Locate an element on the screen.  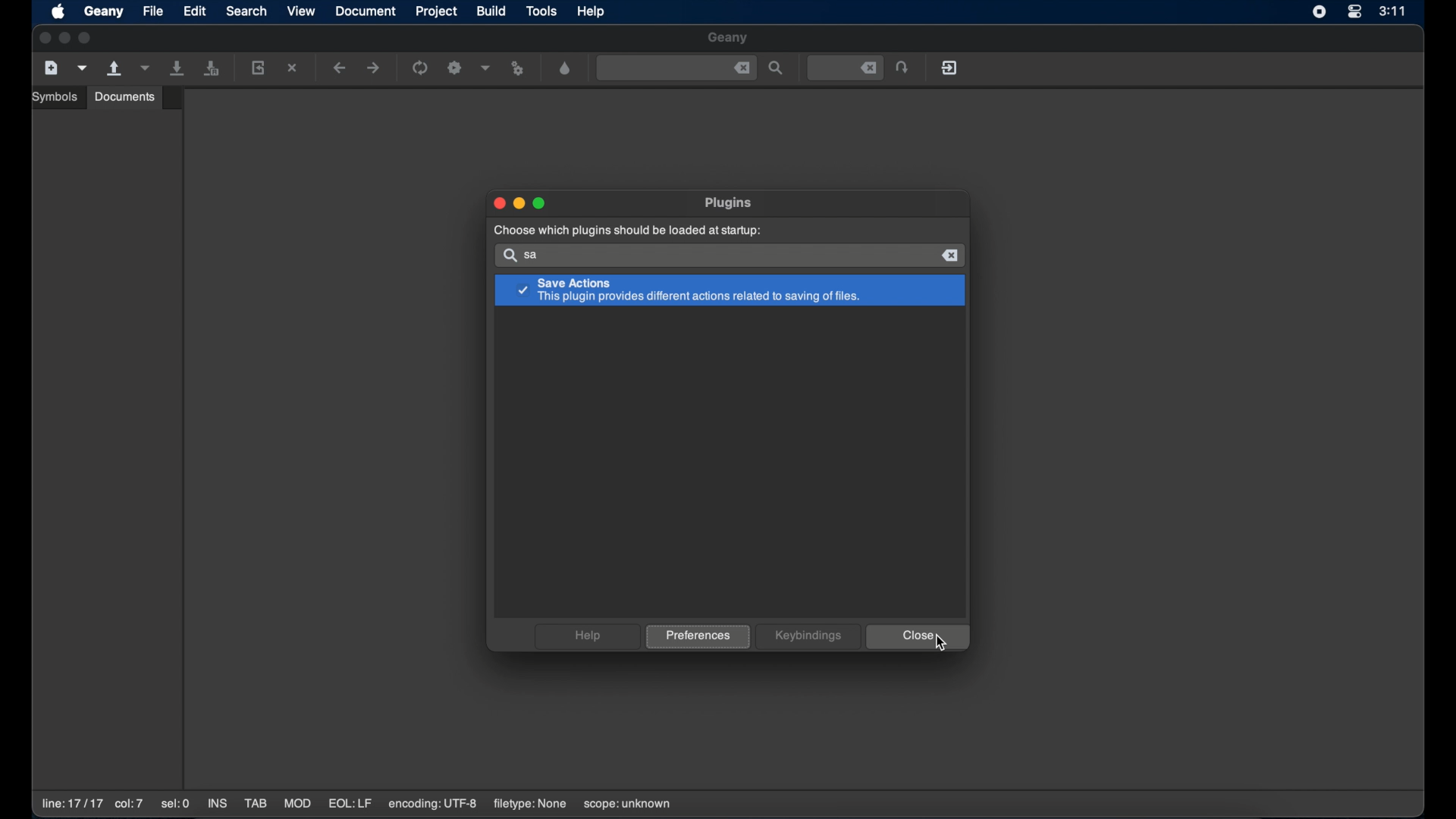
close is located at coordinates (742, 68).